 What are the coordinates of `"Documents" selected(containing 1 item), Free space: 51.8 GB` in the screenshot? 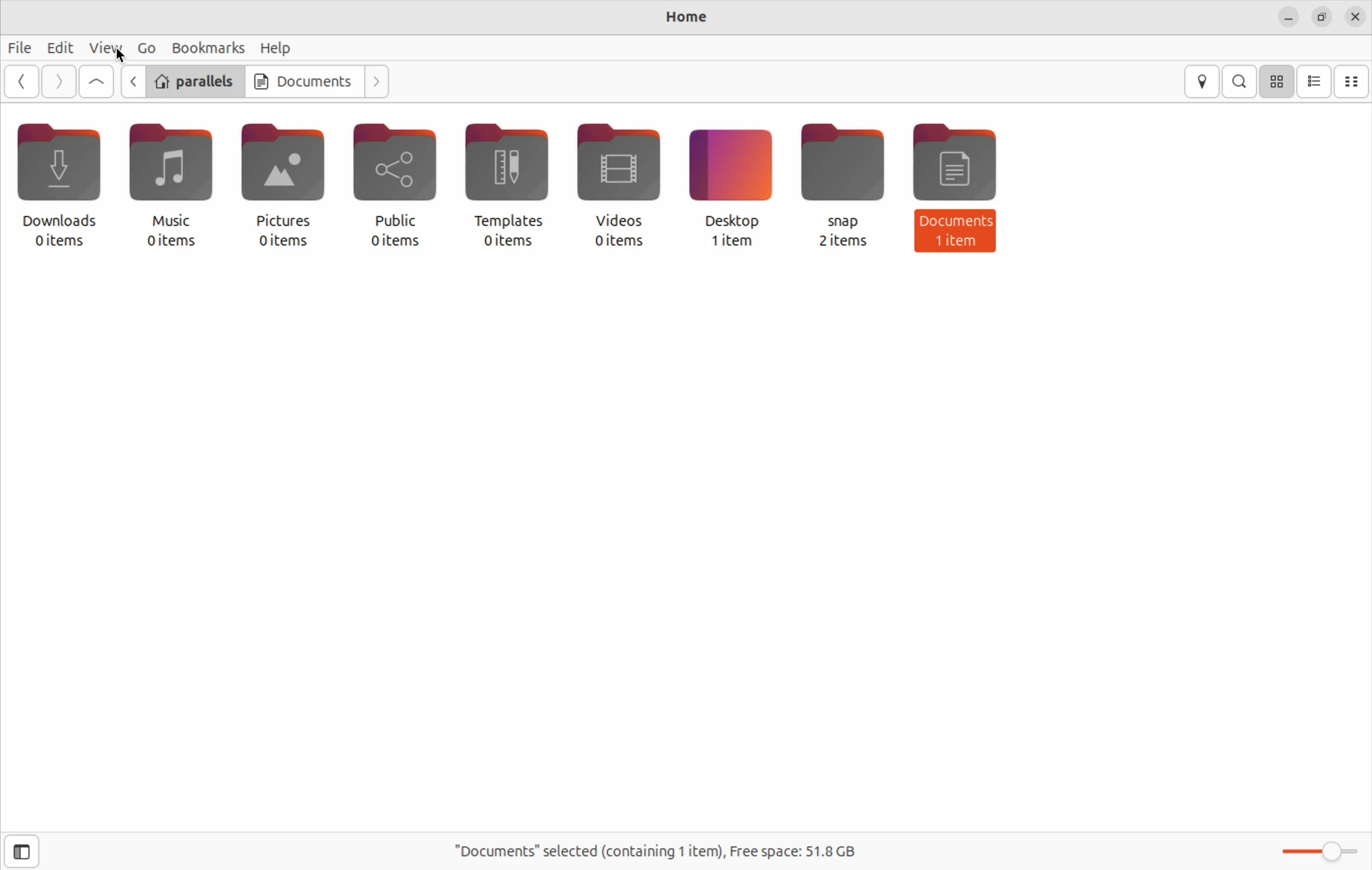 It's located at (663, 842).